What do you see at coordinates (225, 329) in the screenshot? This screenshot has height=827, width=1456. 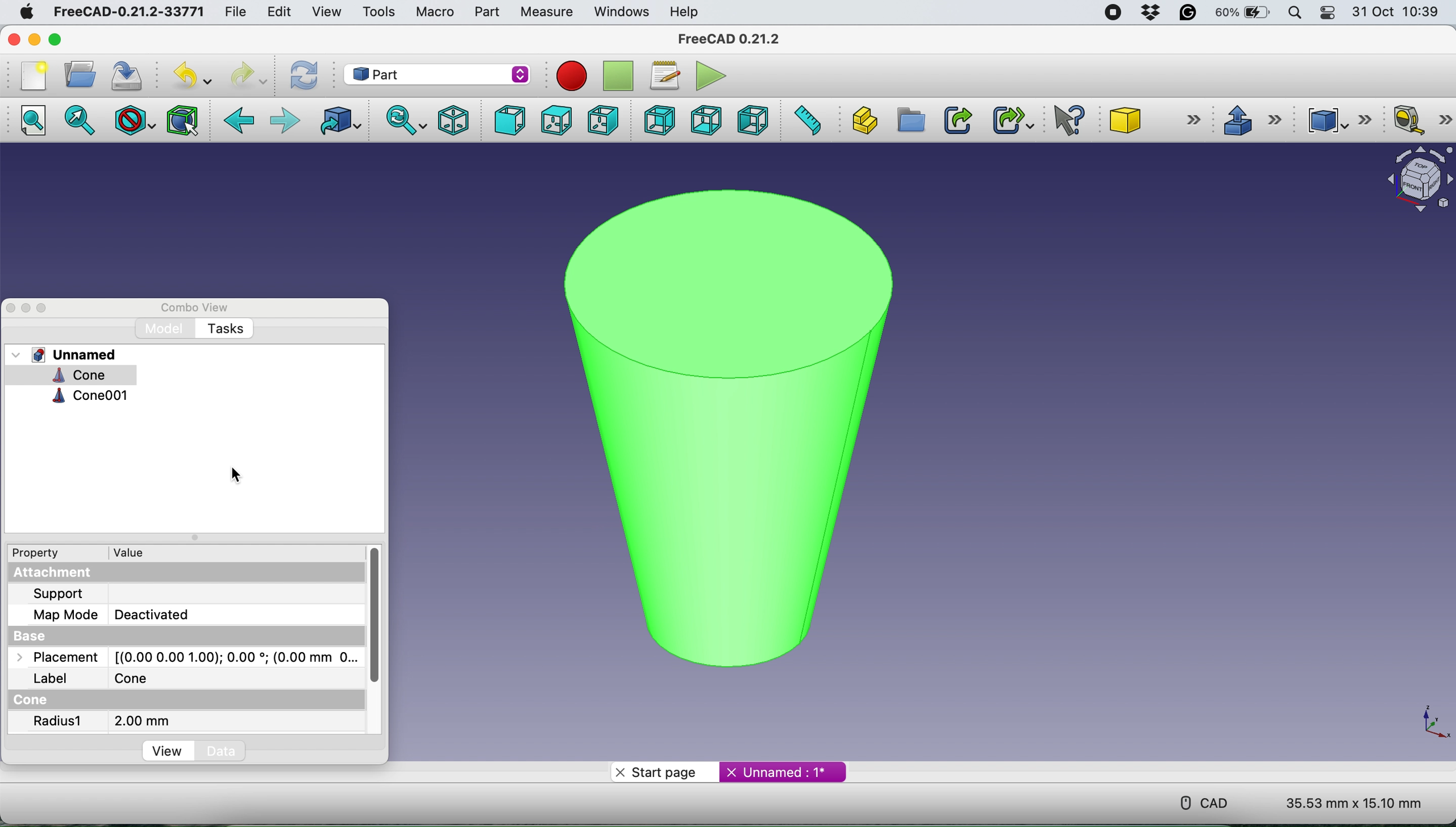 I see `tasks` at bounding box center [225, 329].